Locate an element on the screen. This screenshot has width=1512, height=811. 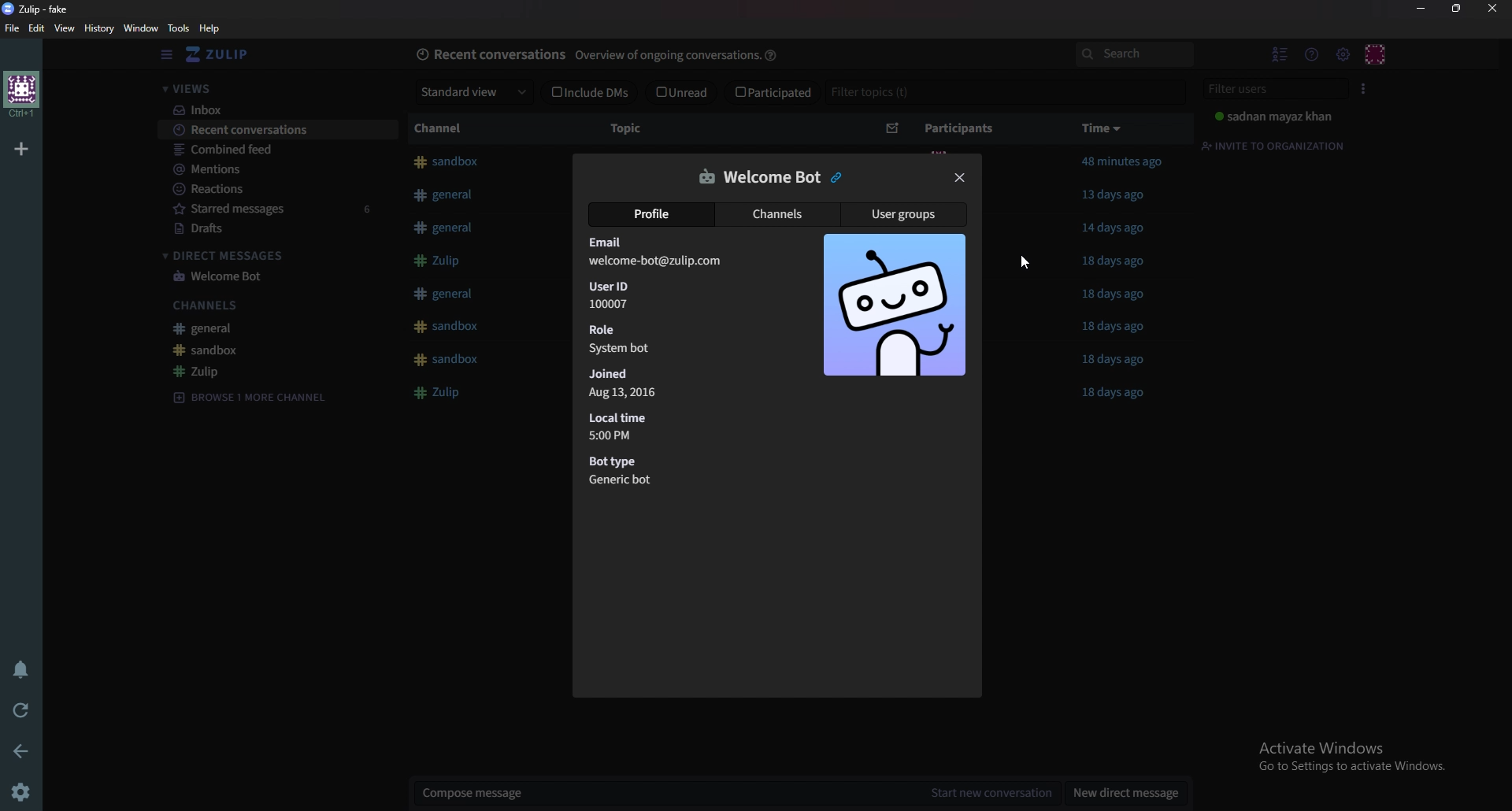
sandbox is located at coordinates (281, 350).